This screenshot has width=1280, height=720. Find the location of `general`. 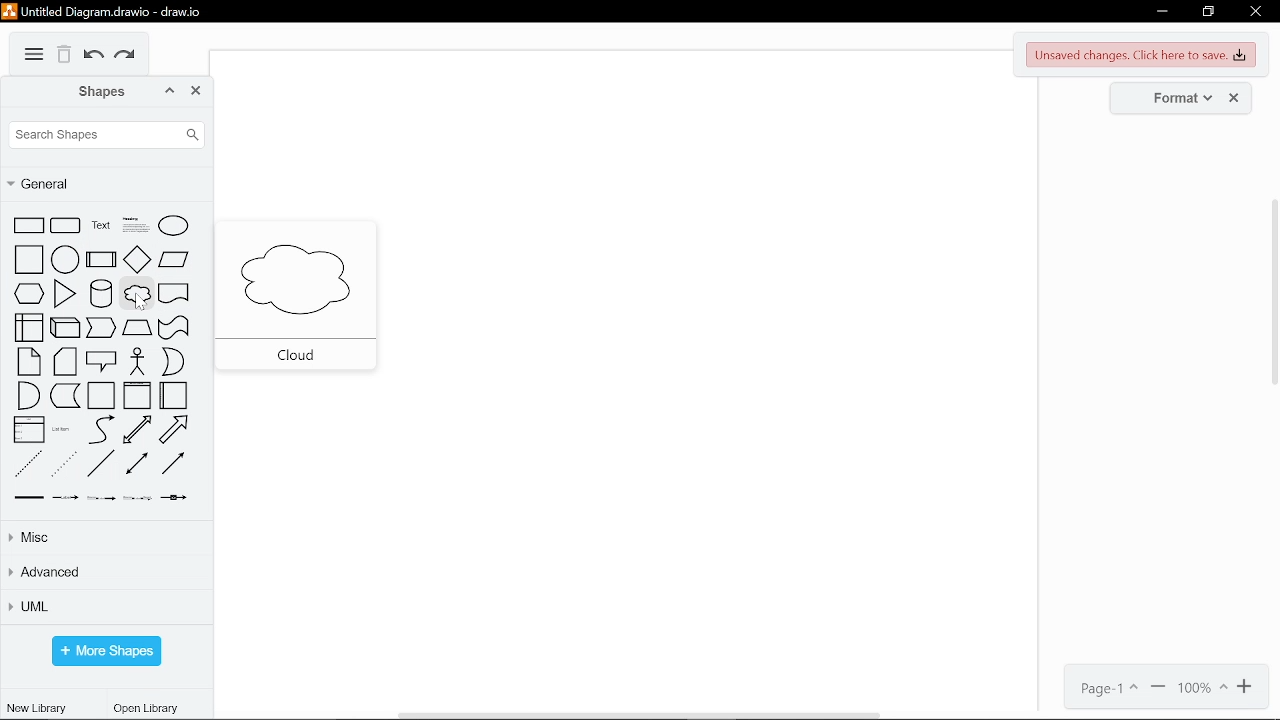

general is located at coordinates (106, 186).